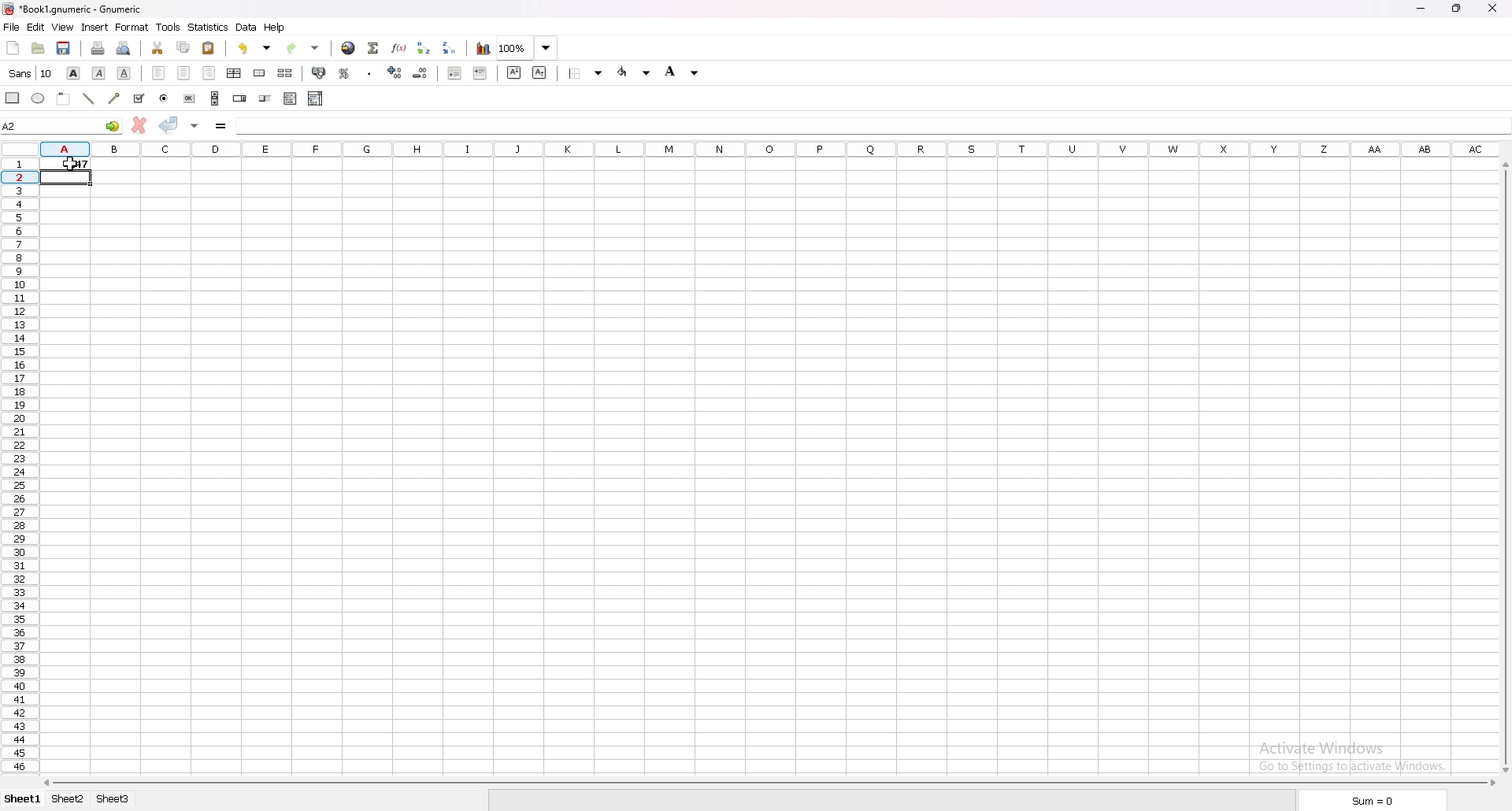 This screenshot has width=1512, height=811. I want to click on percentage, so click(344, 73).